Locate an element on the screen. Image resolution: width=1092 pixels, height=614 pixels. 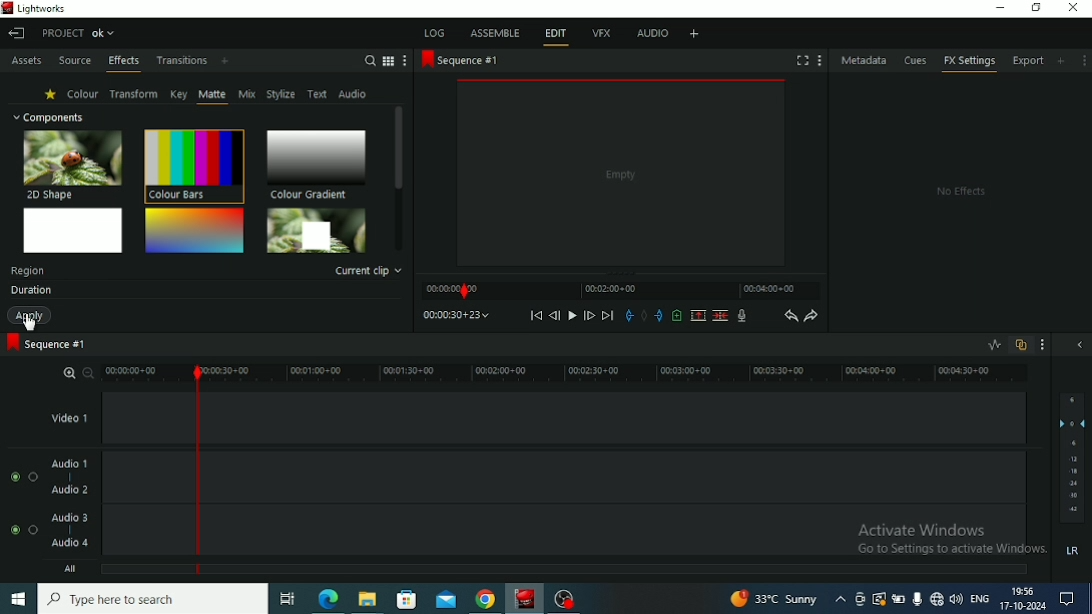
Full screen is located at coordinates (803, 60).